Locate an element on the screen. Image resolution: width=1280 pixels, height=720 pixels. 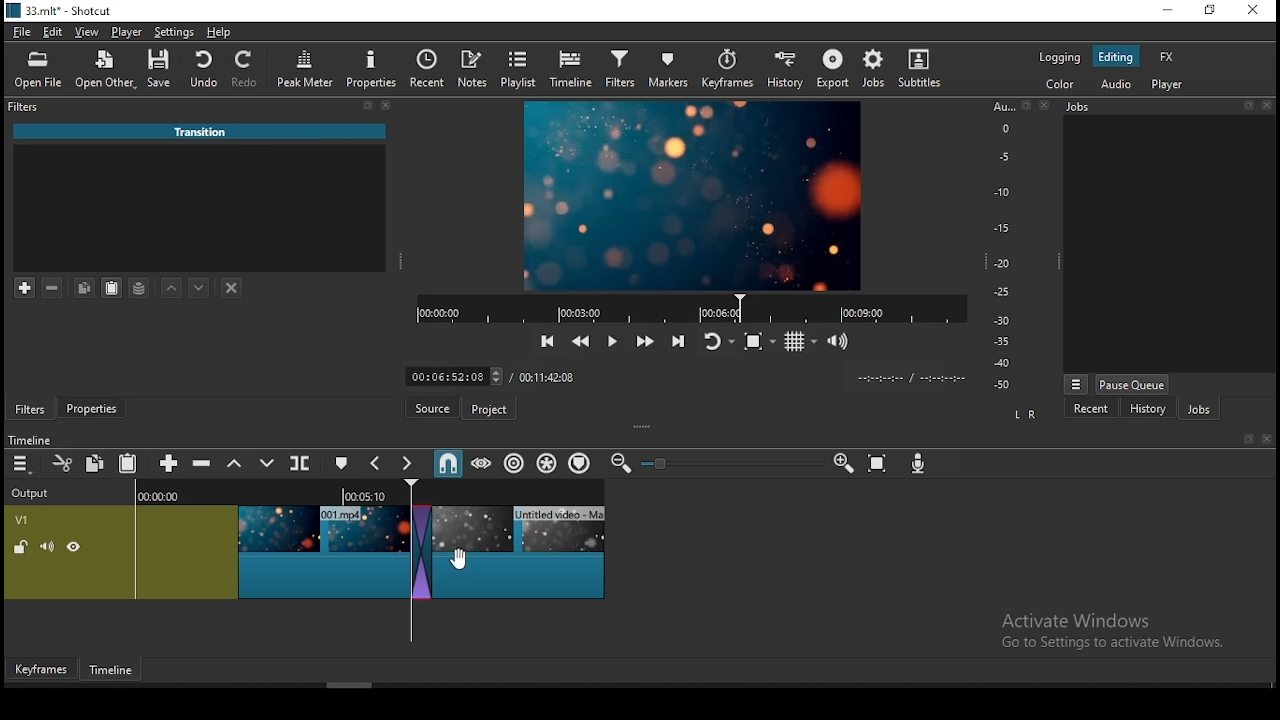
overwrite is located at coordinates (267, 466).